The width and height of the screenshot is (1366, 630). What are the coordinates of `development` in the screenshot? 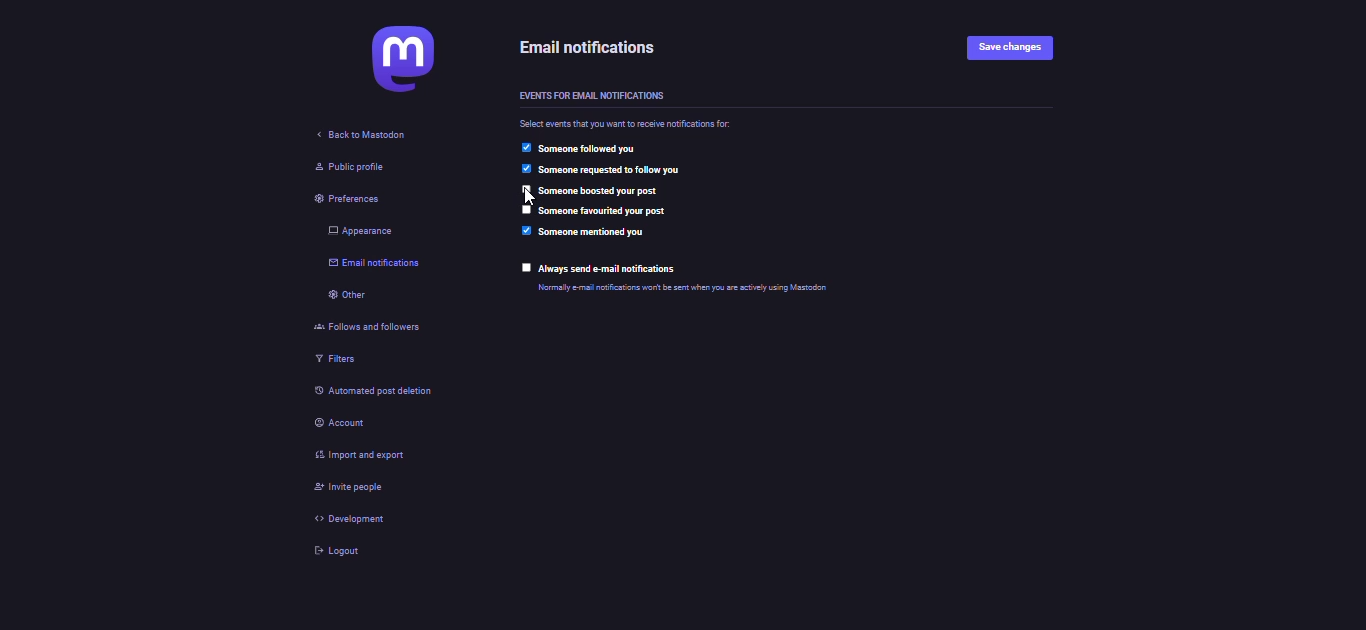 It's located at (341, 518).